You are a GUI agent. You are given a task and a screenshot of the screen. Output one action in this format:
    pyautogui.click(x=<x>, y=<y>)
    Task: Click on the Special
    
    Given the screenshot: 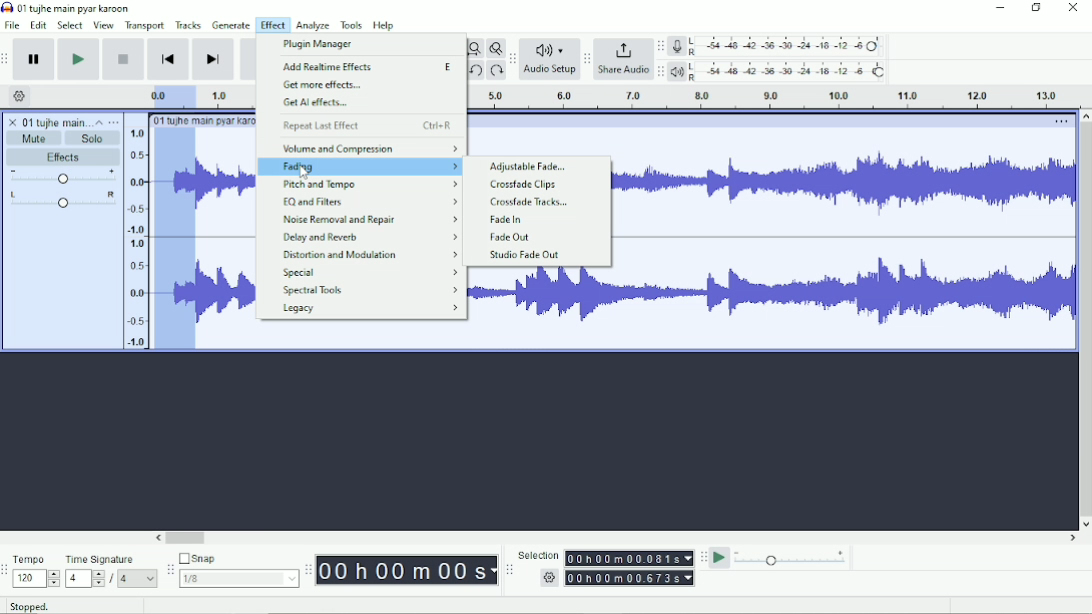 What is the action you would take?
    pyautogui.click(x=370, y=273)
    